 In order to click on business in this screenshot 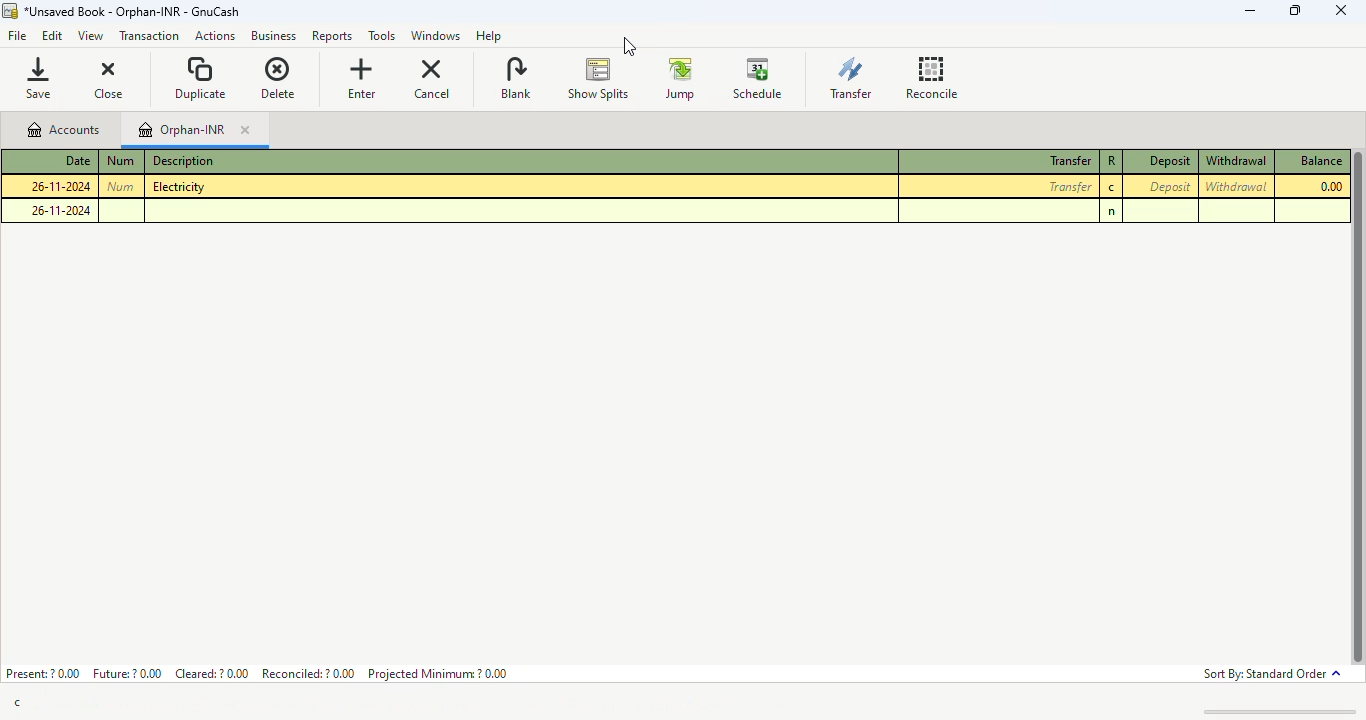, I will do `click(274, 36)`.